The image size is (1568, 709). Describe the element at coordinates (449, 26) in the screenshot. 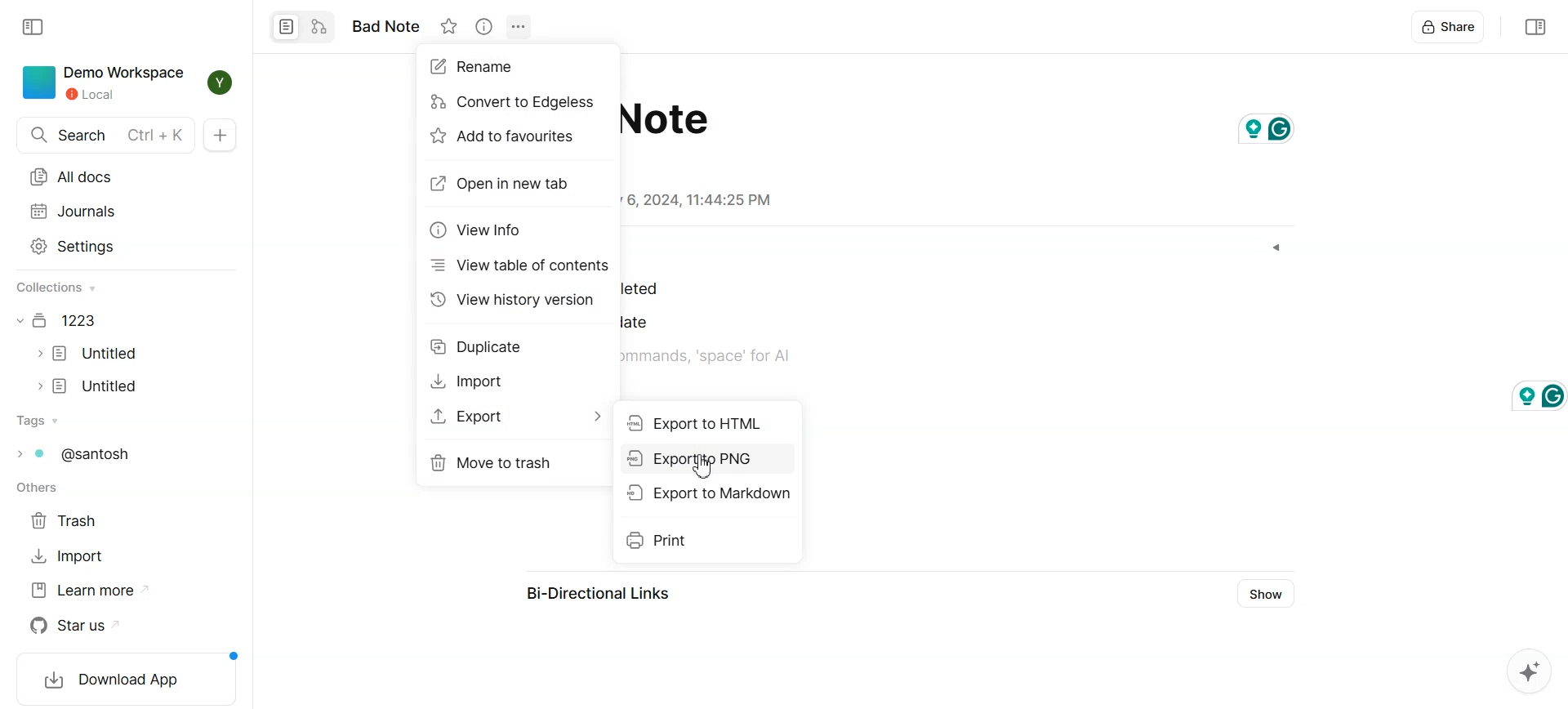

I see `Not starred` at that location.